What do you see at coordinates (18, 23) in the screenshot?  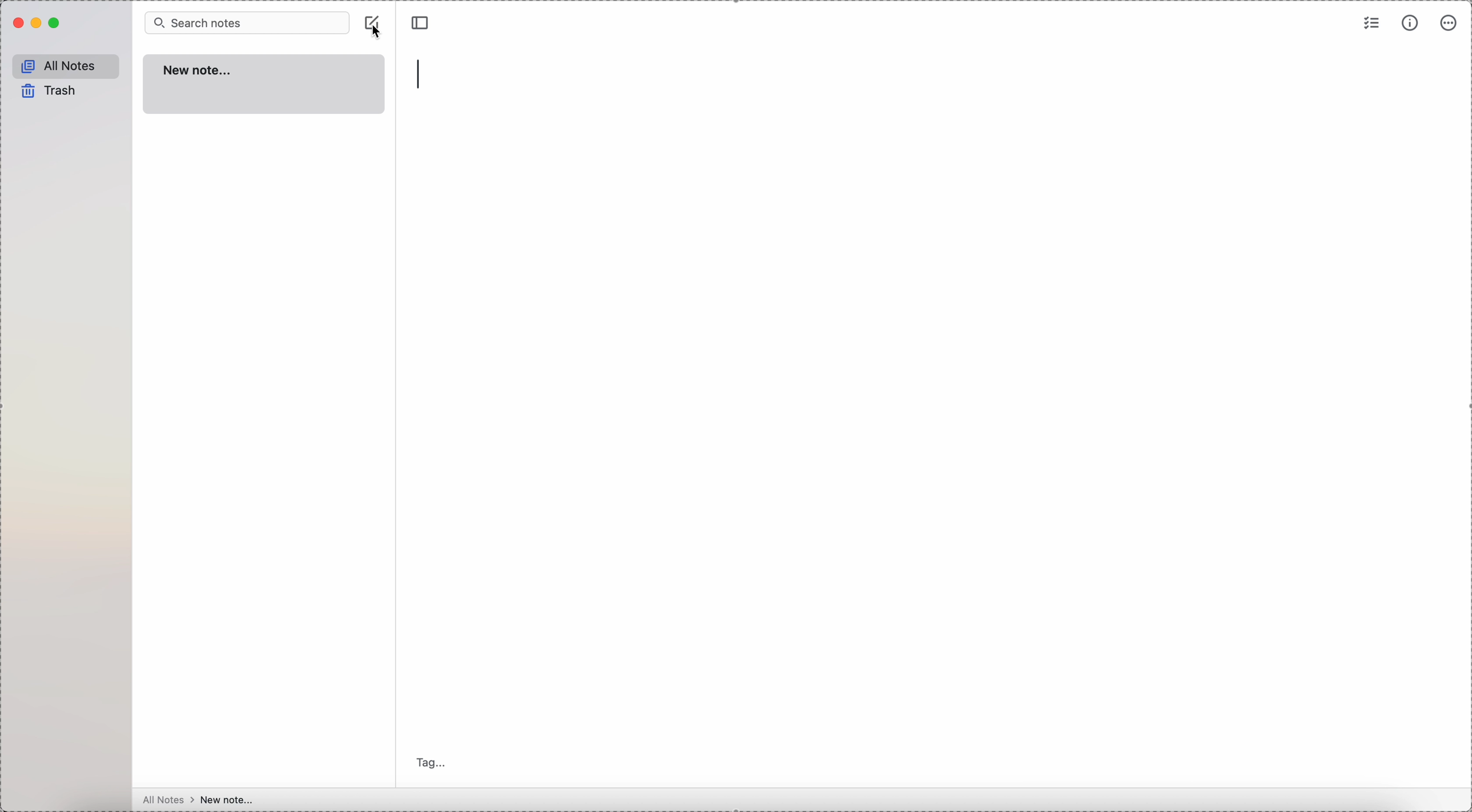 I see `close Simplenote` at bounding box center [18, 23].